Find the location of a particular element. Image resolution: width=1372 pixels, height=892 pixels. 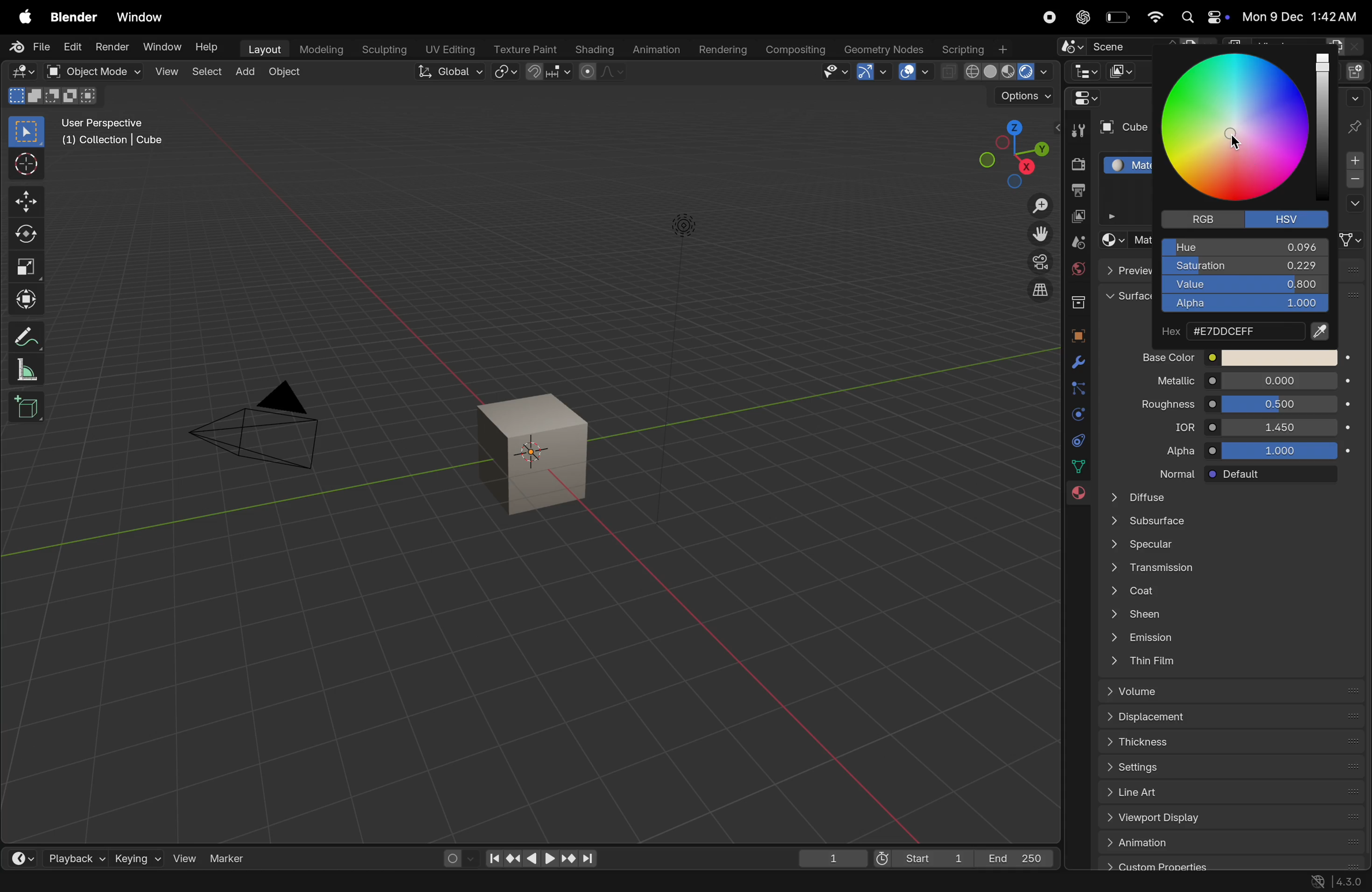

thickness is located at coordinates (1227, 740).